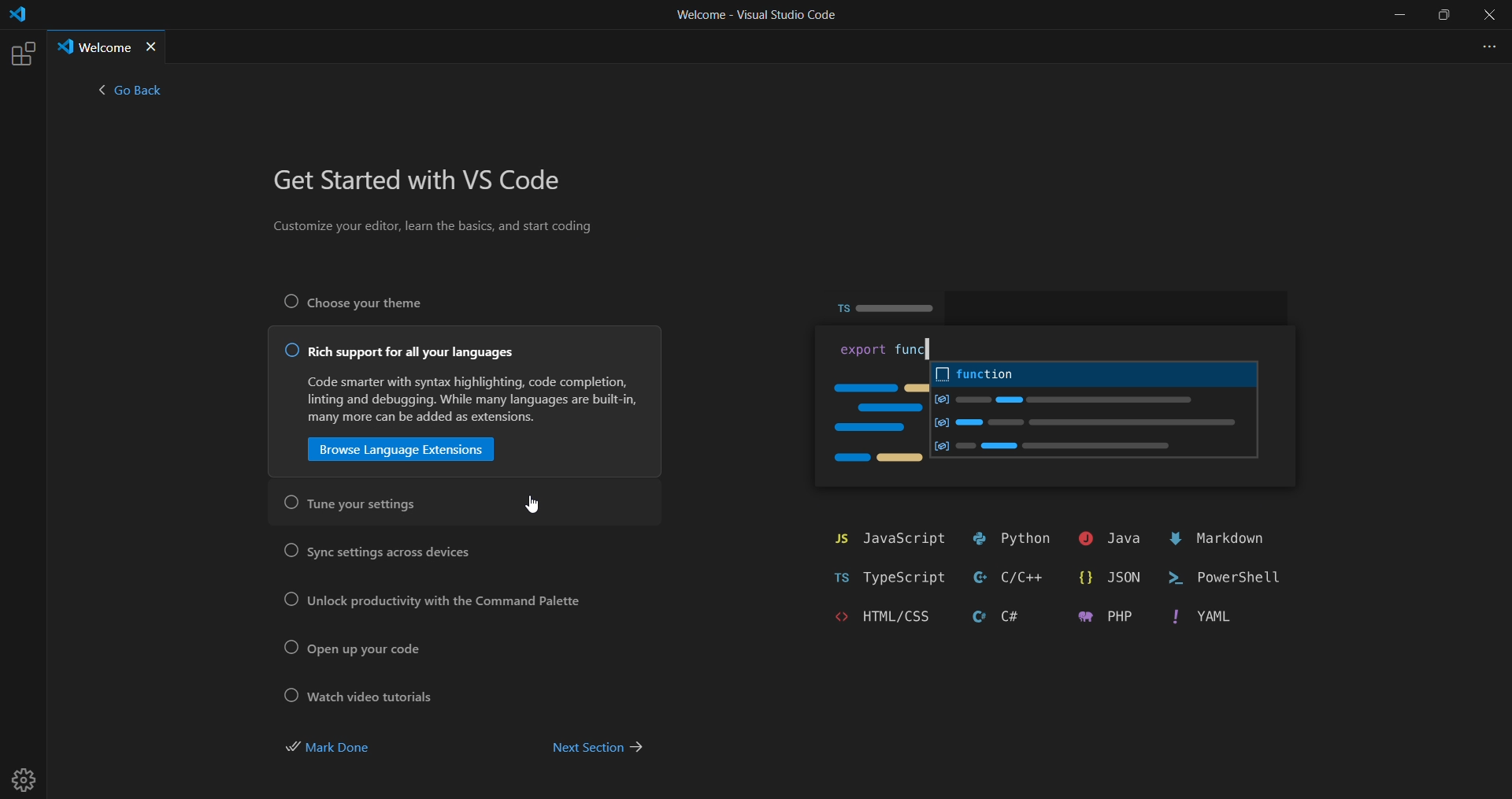  Describe the element at coordinates (1225, 539) in the screenshot. I see `markdown` at that location.